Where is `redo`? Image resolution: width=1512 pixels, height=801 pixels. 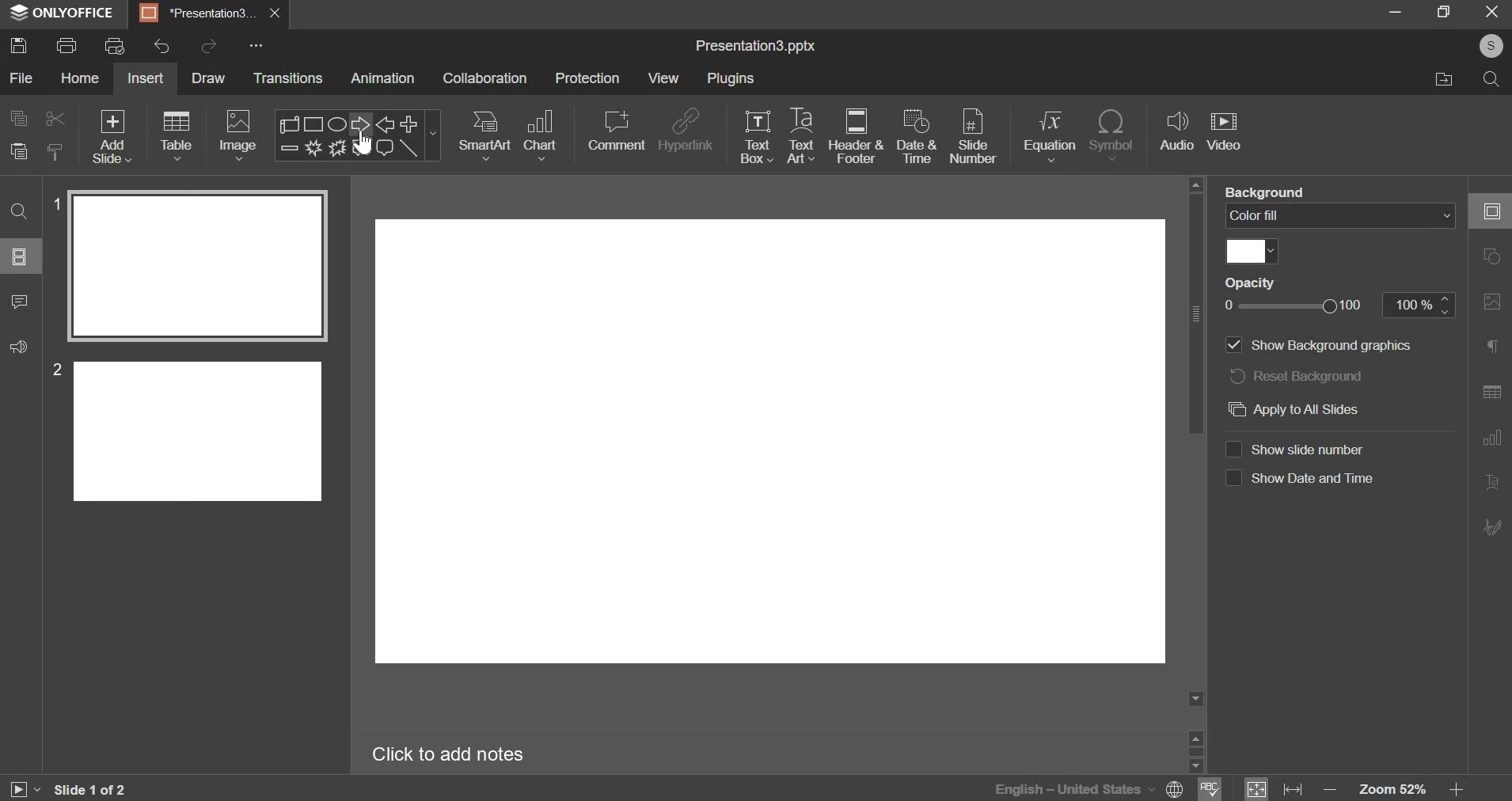 redo is located at coordinates (211, 44).